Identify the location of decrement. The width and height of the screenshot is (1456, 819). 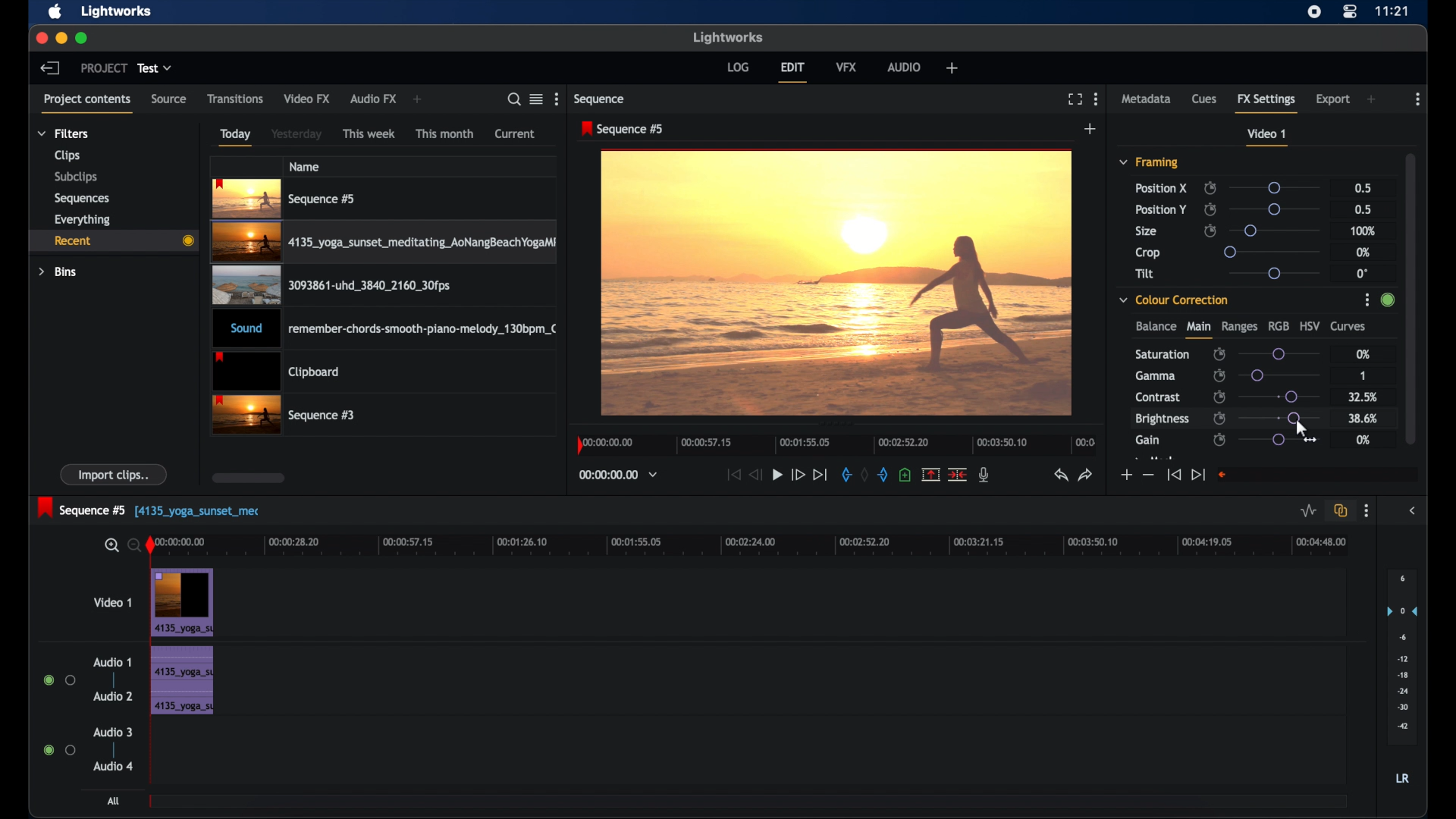
(1148, 475).